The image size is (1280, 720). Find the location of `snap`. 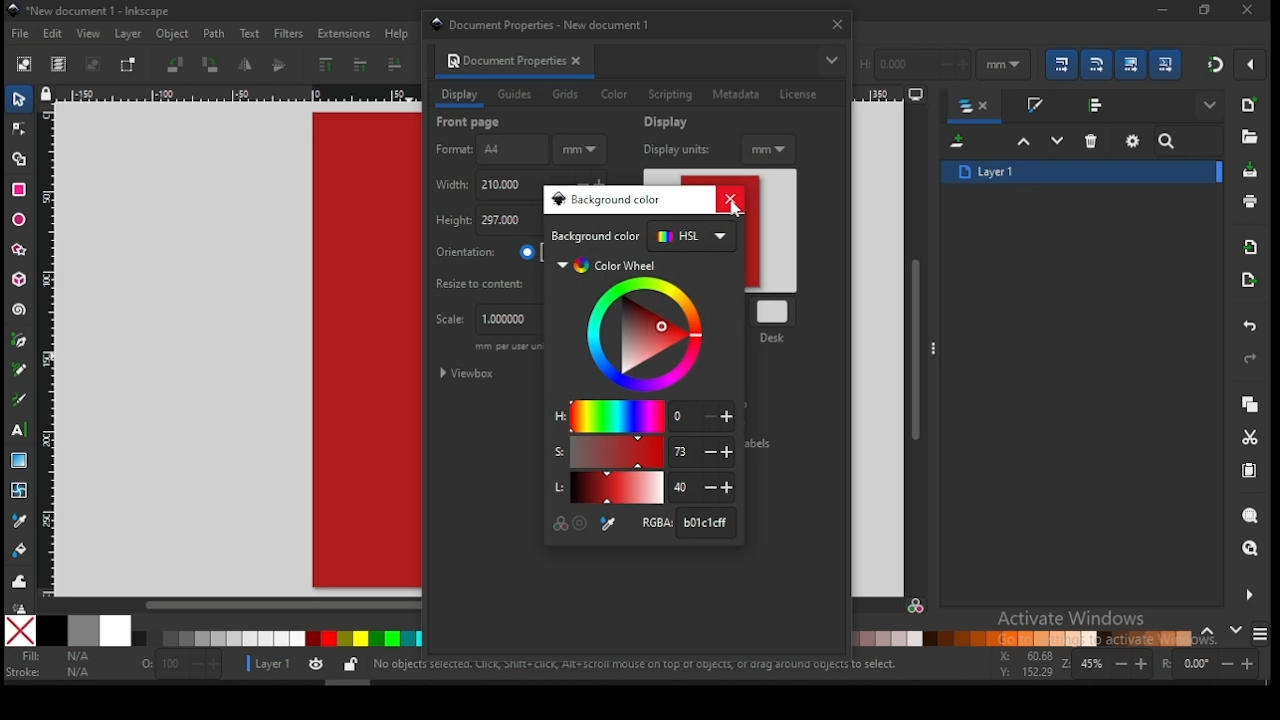

snap is located at coordinates (1216, 64).